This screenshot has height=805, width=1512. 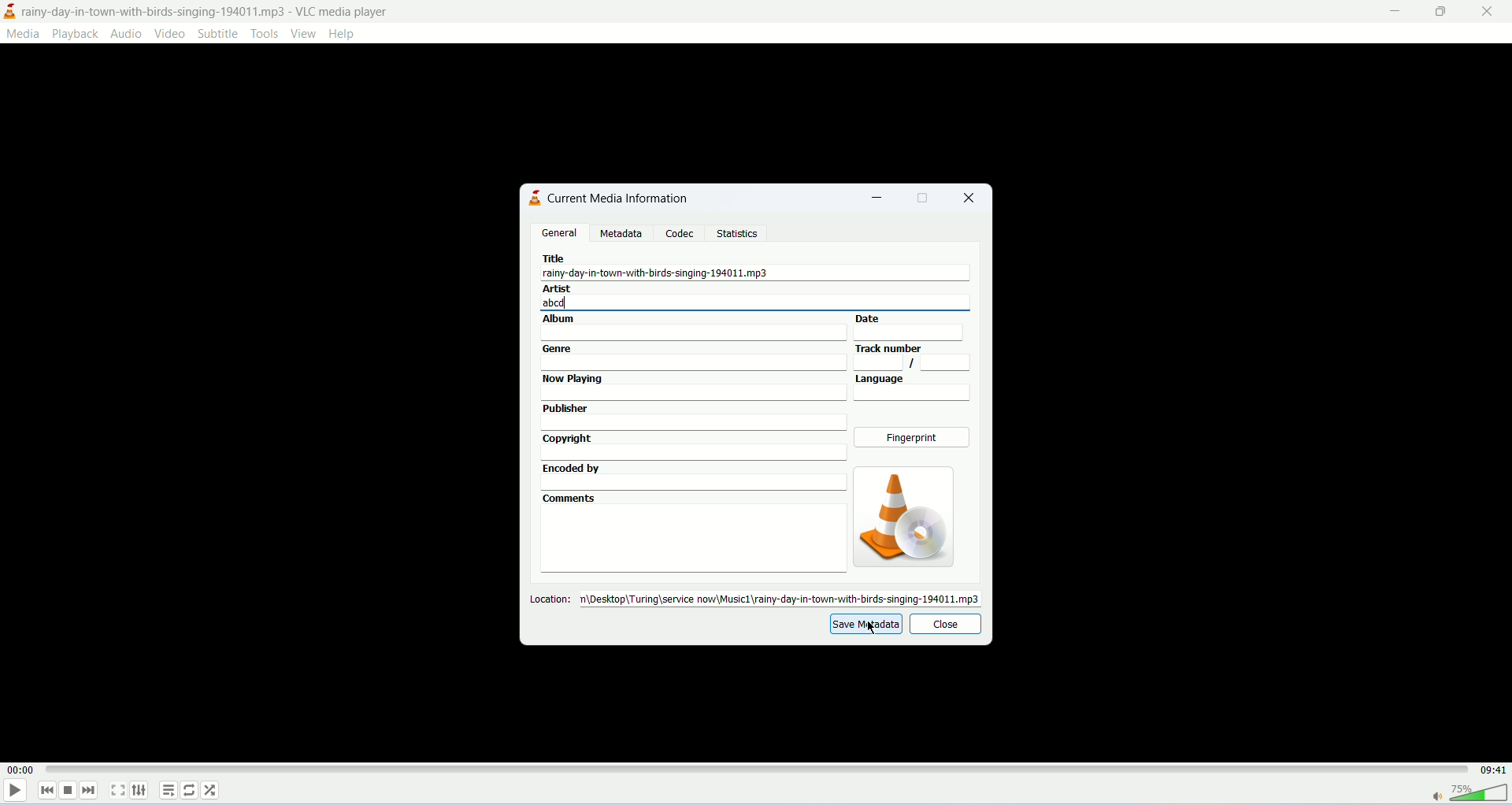 What do you see at coordinates (757, 598) in the screenshot?
I see `location:desktop\turing\servicenow\music1\rainy-day-in-town` at bounding box center [757, 598].